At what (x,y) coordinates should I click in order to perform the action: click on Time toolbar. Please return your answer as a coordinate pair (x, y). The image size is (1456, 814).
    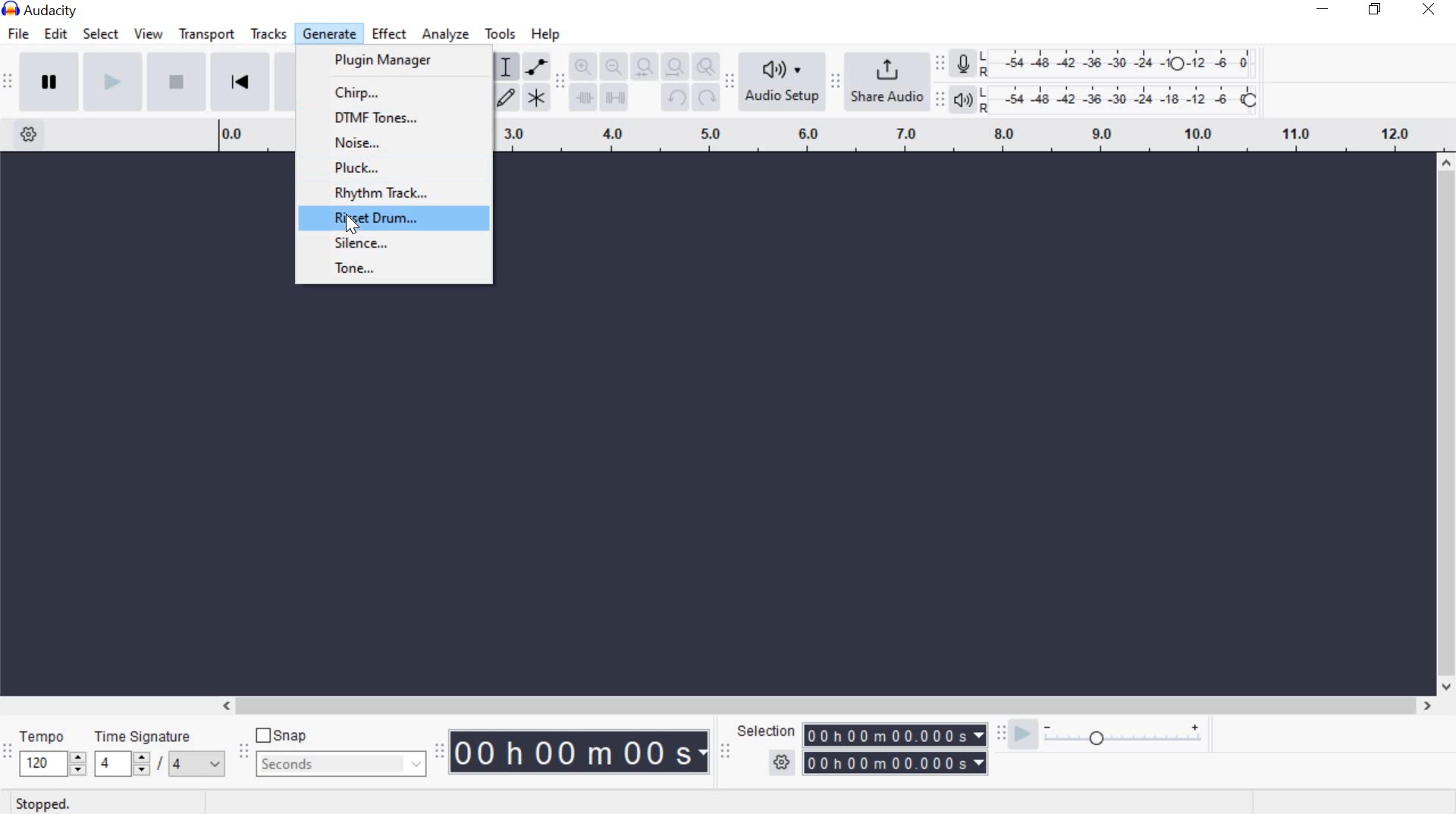
    Looking at the image, I should click on (438, 753).